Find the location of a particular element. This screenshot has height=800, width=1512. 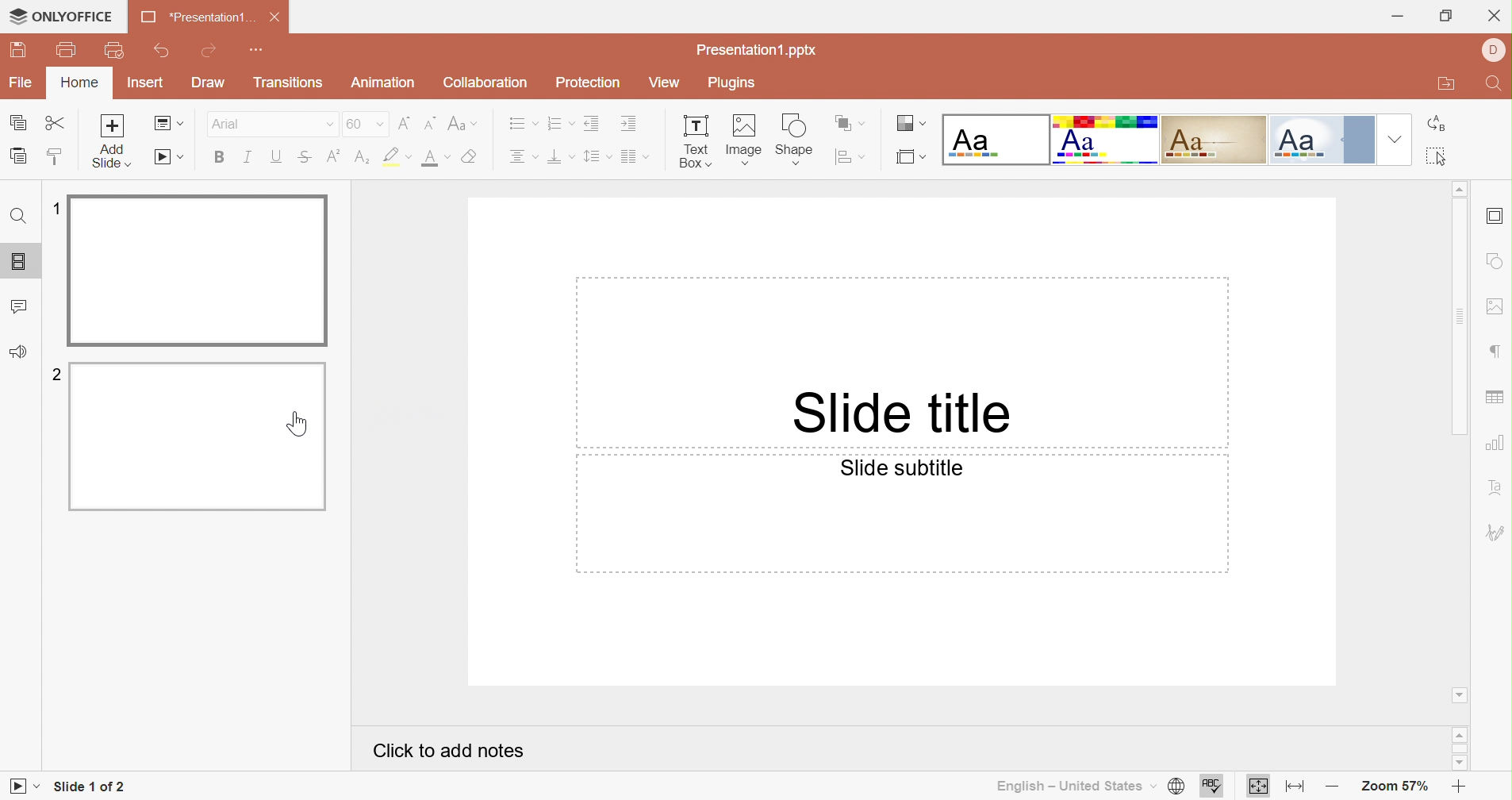

Fit to slide is located at coordinates (1261, 785).